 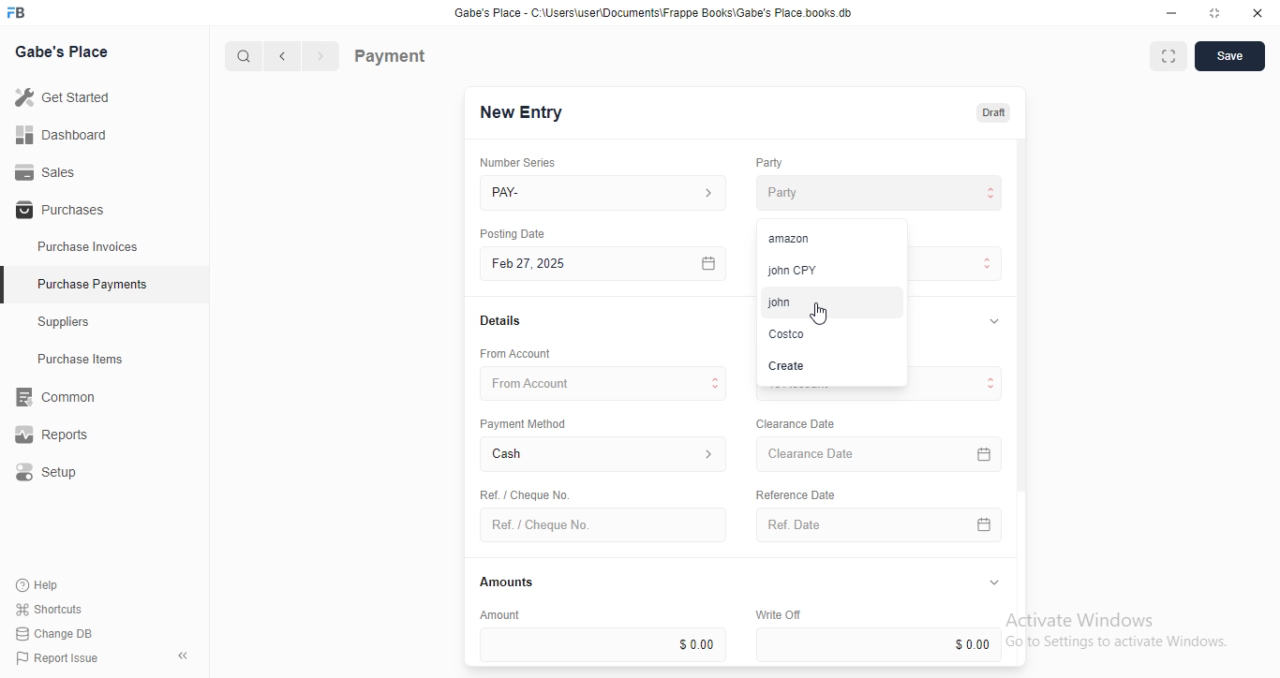 What do you see at coordinates (391, 55) in the screenshot?
I see `Payment` at bounding box center [391, 55].